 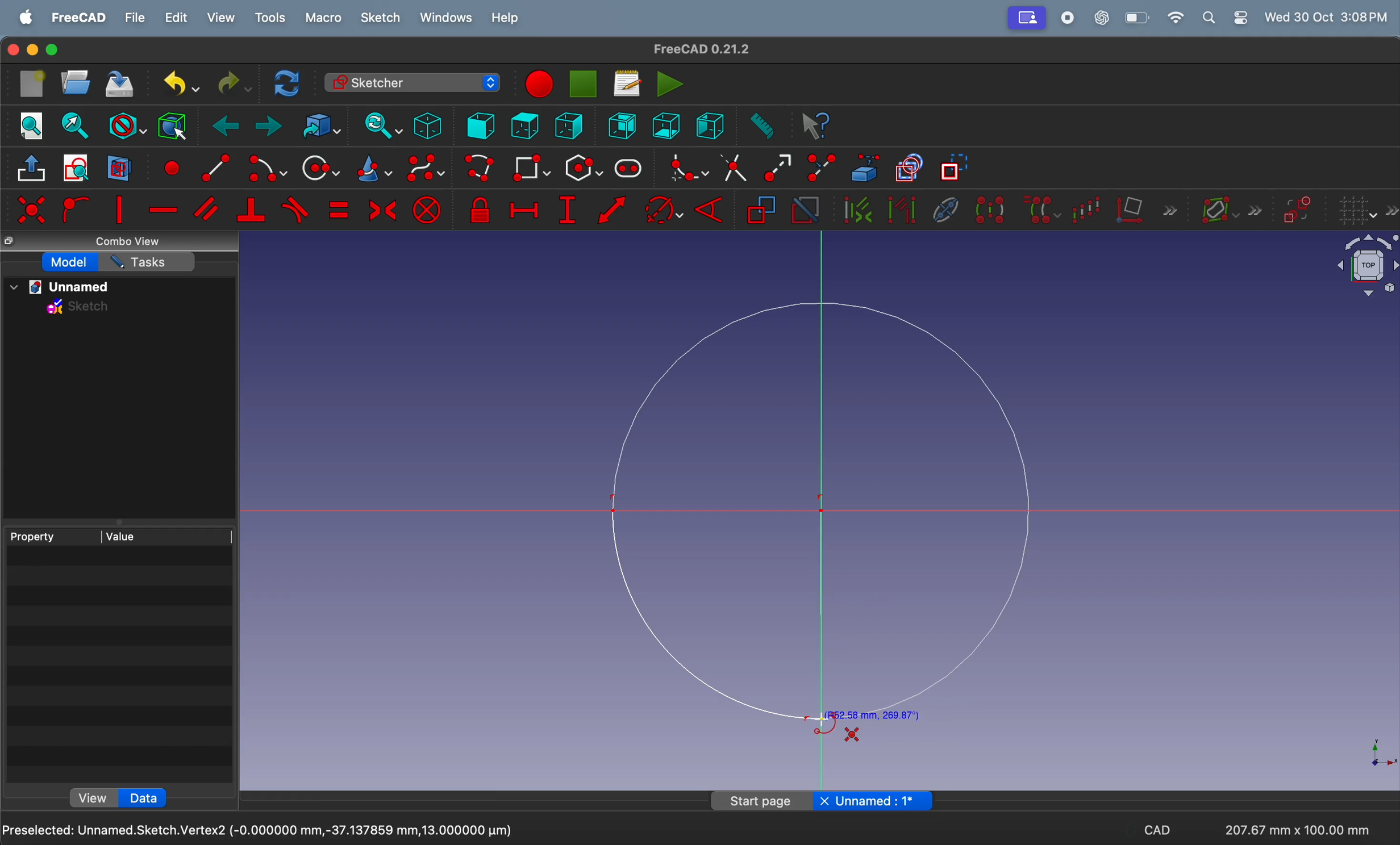 What do you see at coordinates (318, 126) in the screenshot?
I see `go to toggled object` at bounding box center [318, 126].